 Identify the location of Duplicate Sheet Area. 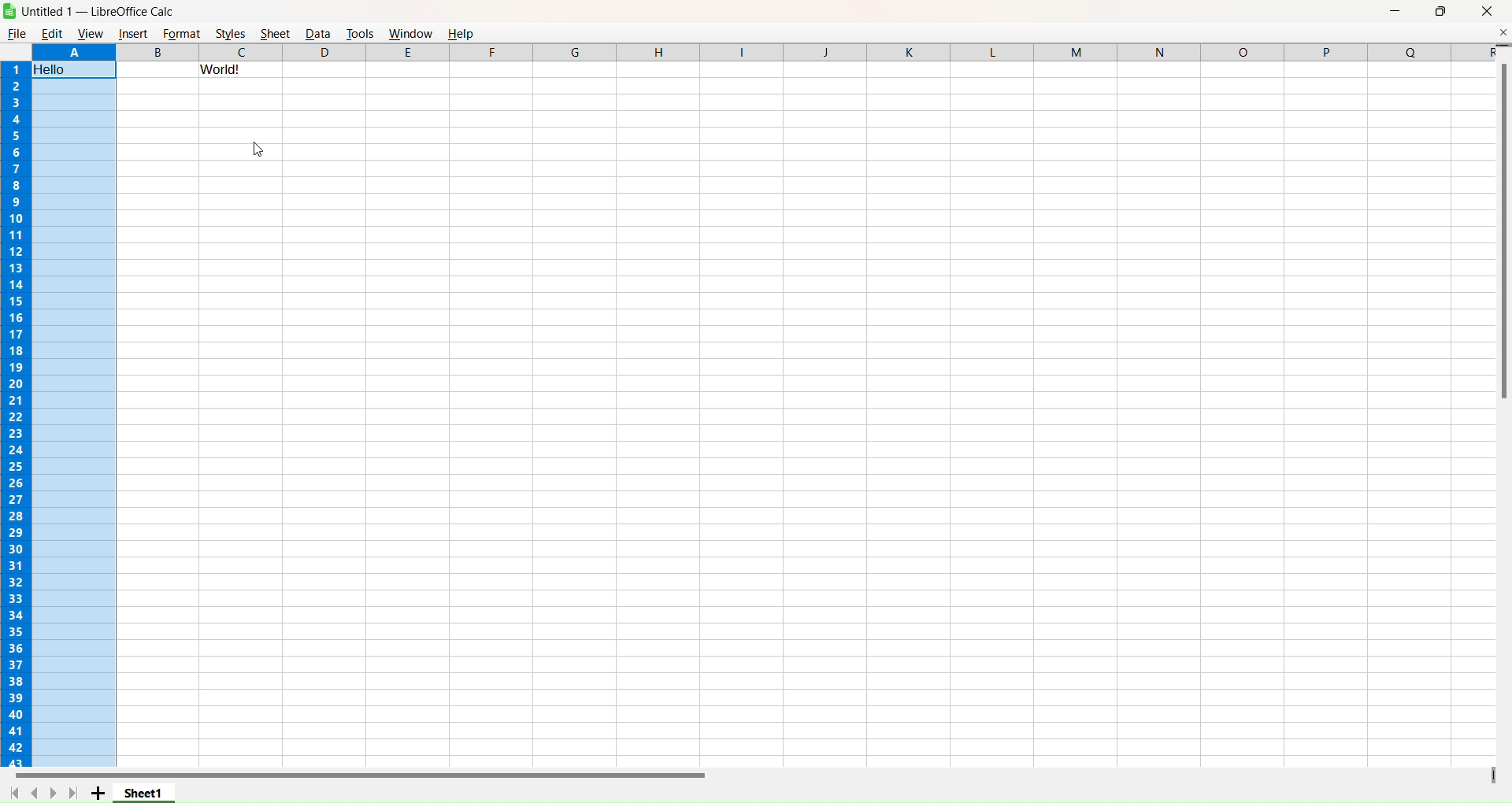
(1492, 774).